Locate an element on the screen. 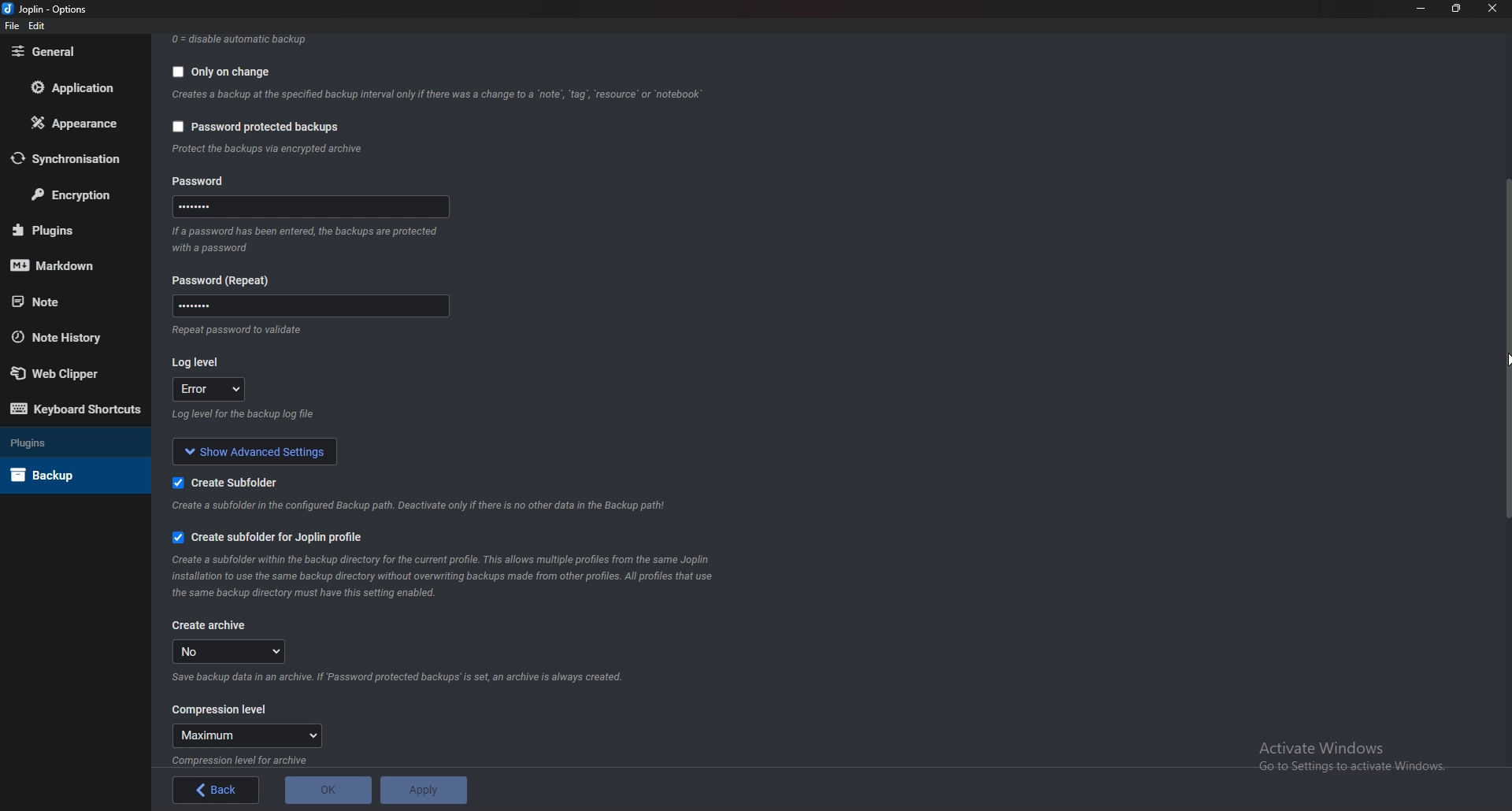 Image resolution: width=1512 pixels, height=811 pixels. scroll bar is located at coordinates (1506, 353).